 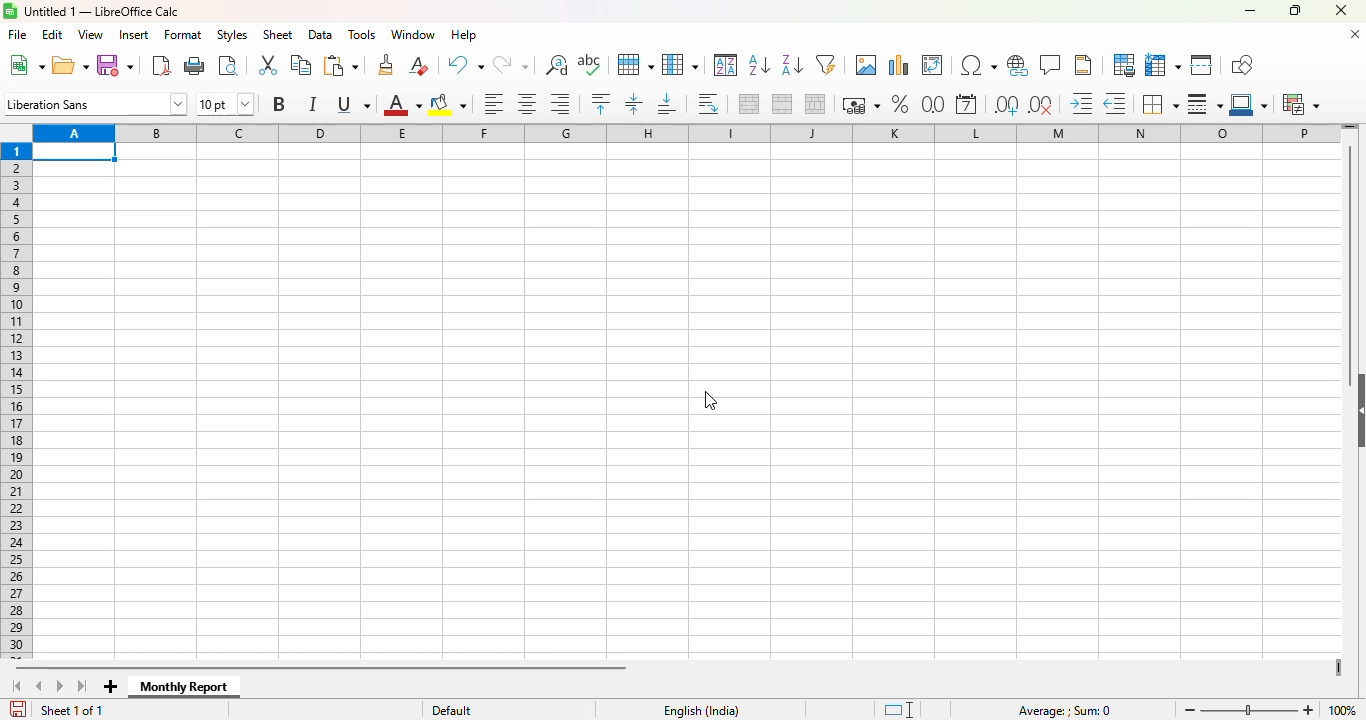 What do you see at coordinates (116, 65) in the screenshot?
I see `save` at bounding box center [116, 65].